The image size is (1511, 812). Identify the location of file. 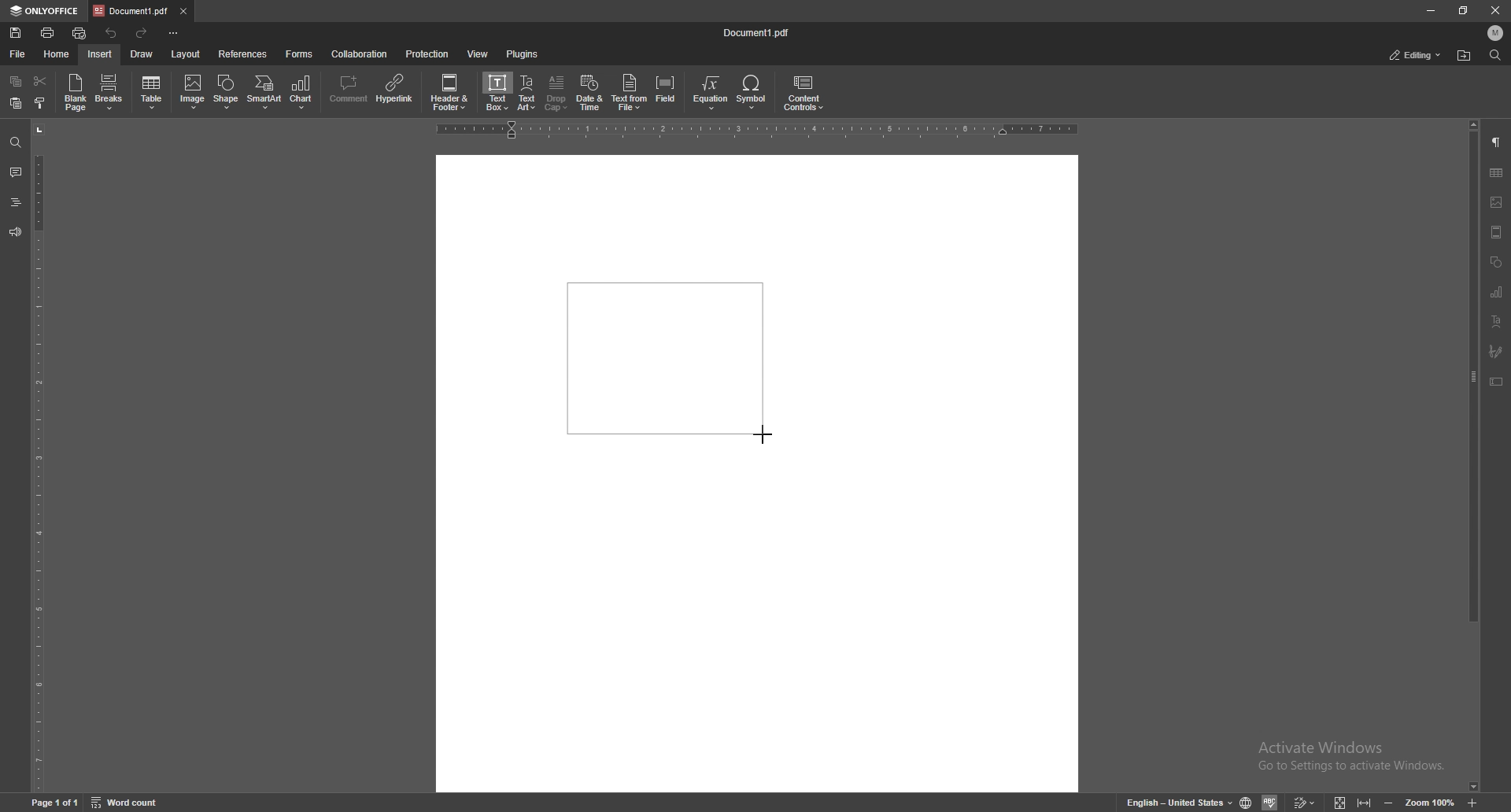
(17, 54).